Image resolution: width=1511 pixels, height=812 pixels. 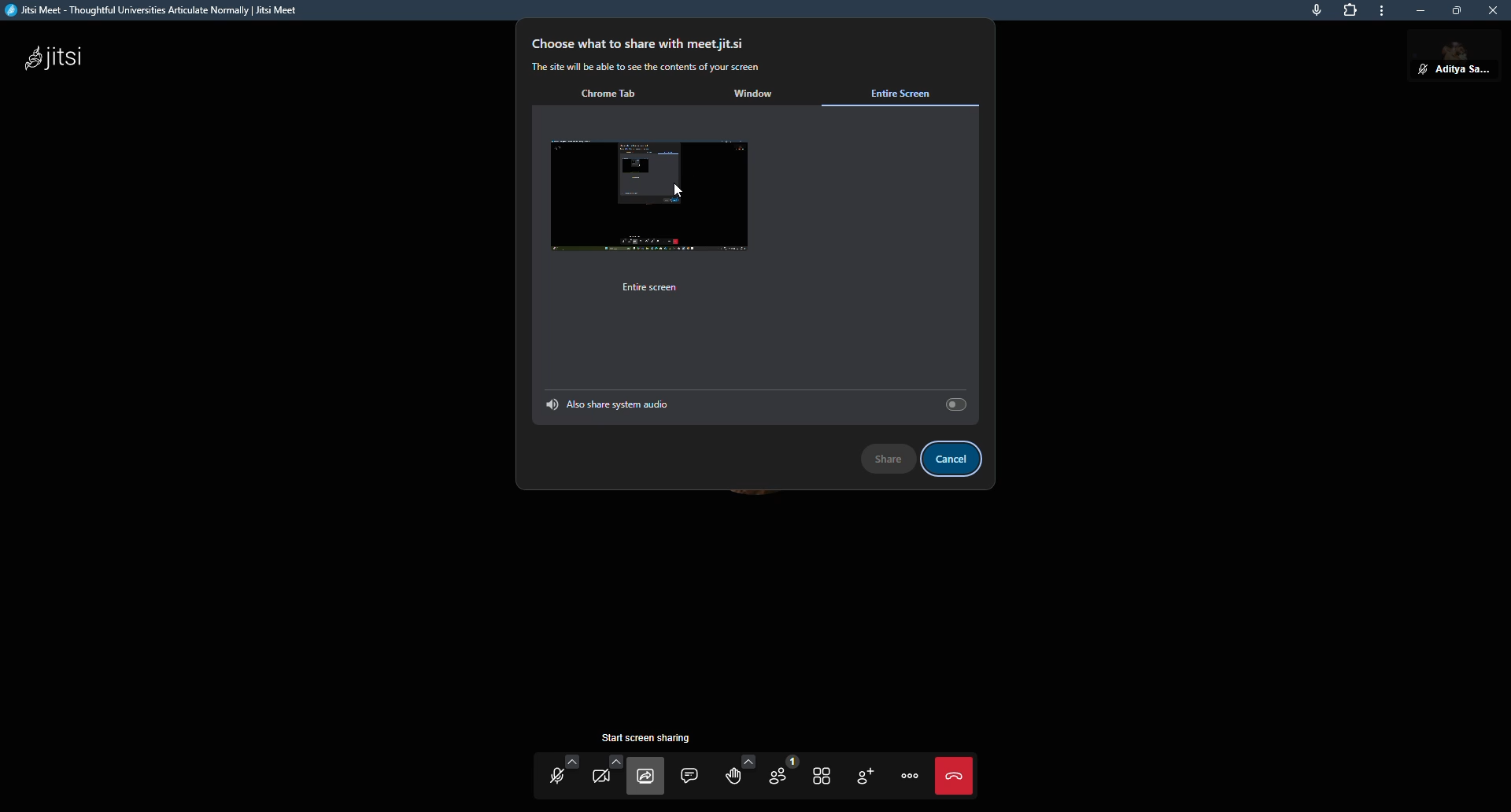 I want to click on chrome tab, so click(x=615, y=94).